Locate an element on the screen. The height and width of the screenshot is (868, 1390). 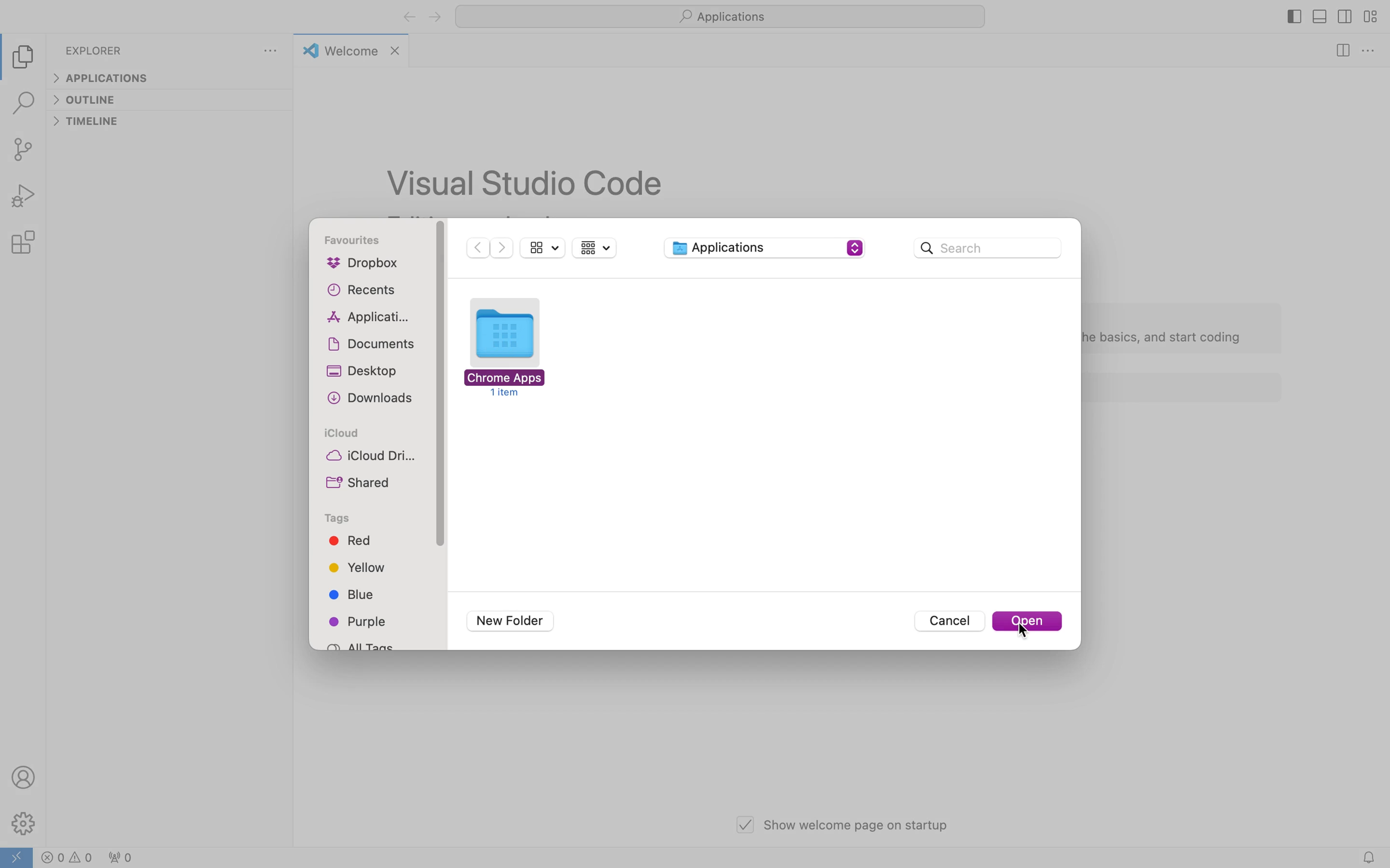
run and debug is located at coordinates (26, 197).